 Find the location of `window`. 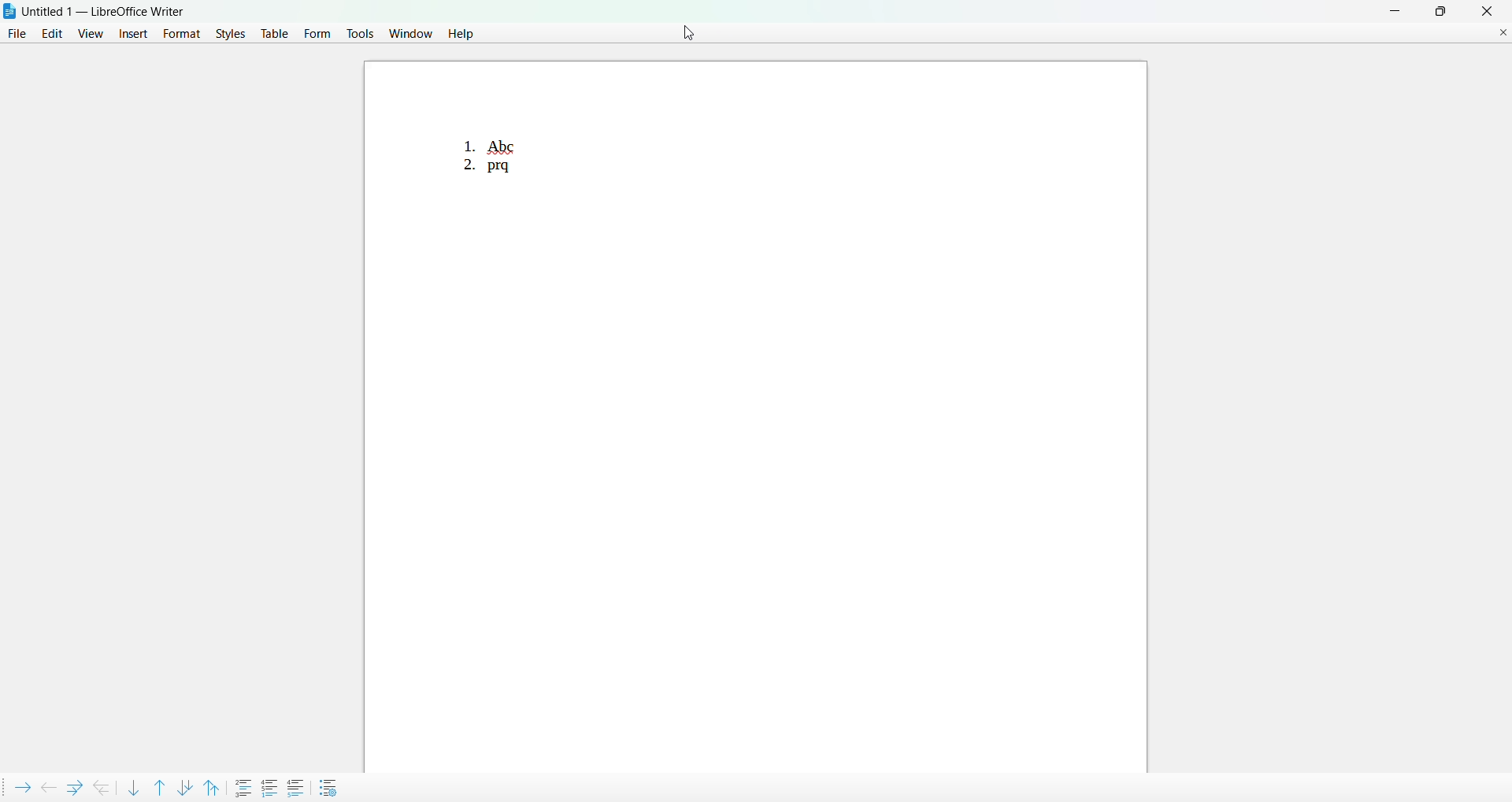

window is located at coordinates (410, 33).